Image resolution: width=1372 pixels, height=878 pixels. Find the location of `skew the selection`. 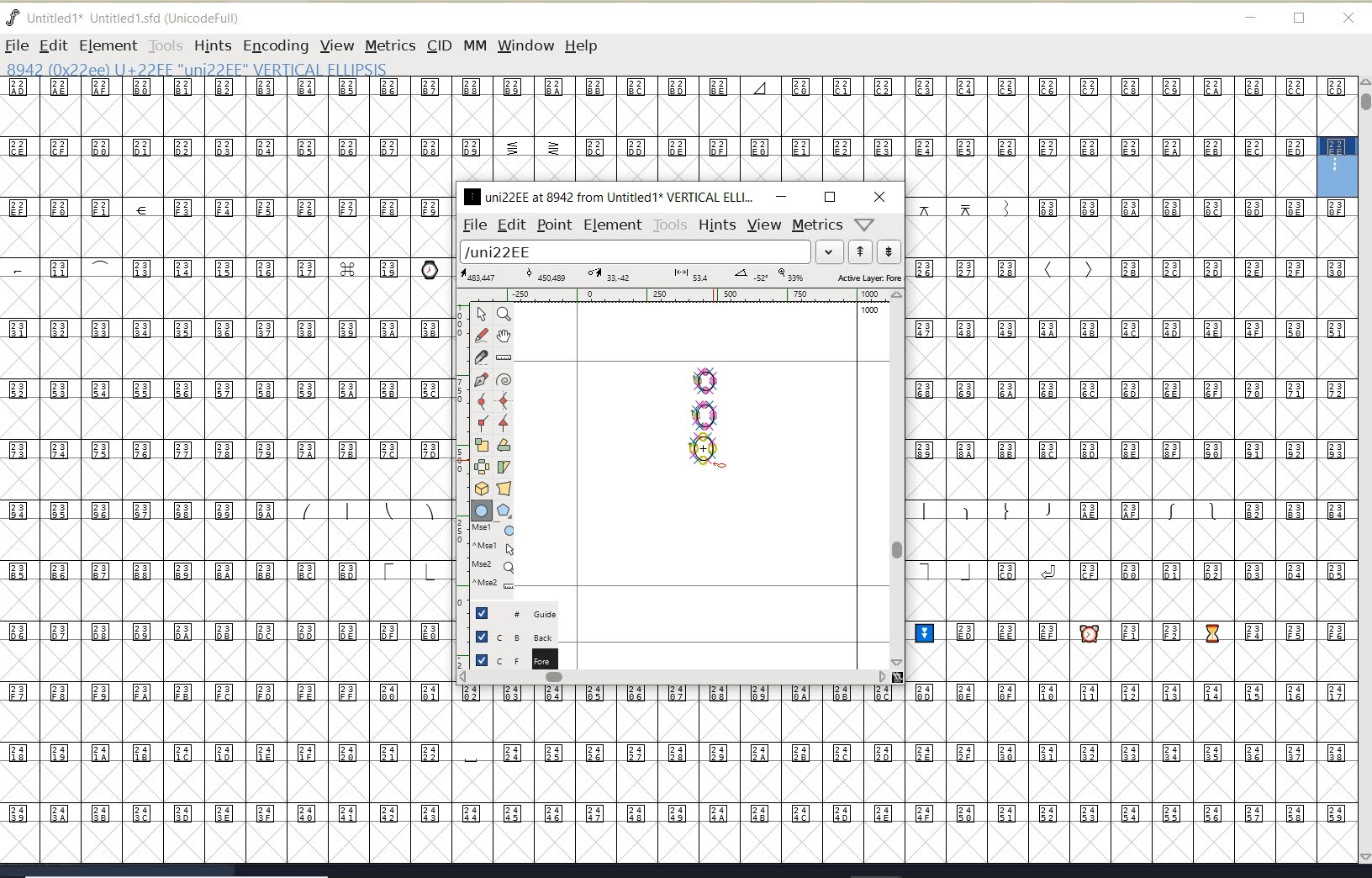

skew the selection is located at coordinates (503, 468).